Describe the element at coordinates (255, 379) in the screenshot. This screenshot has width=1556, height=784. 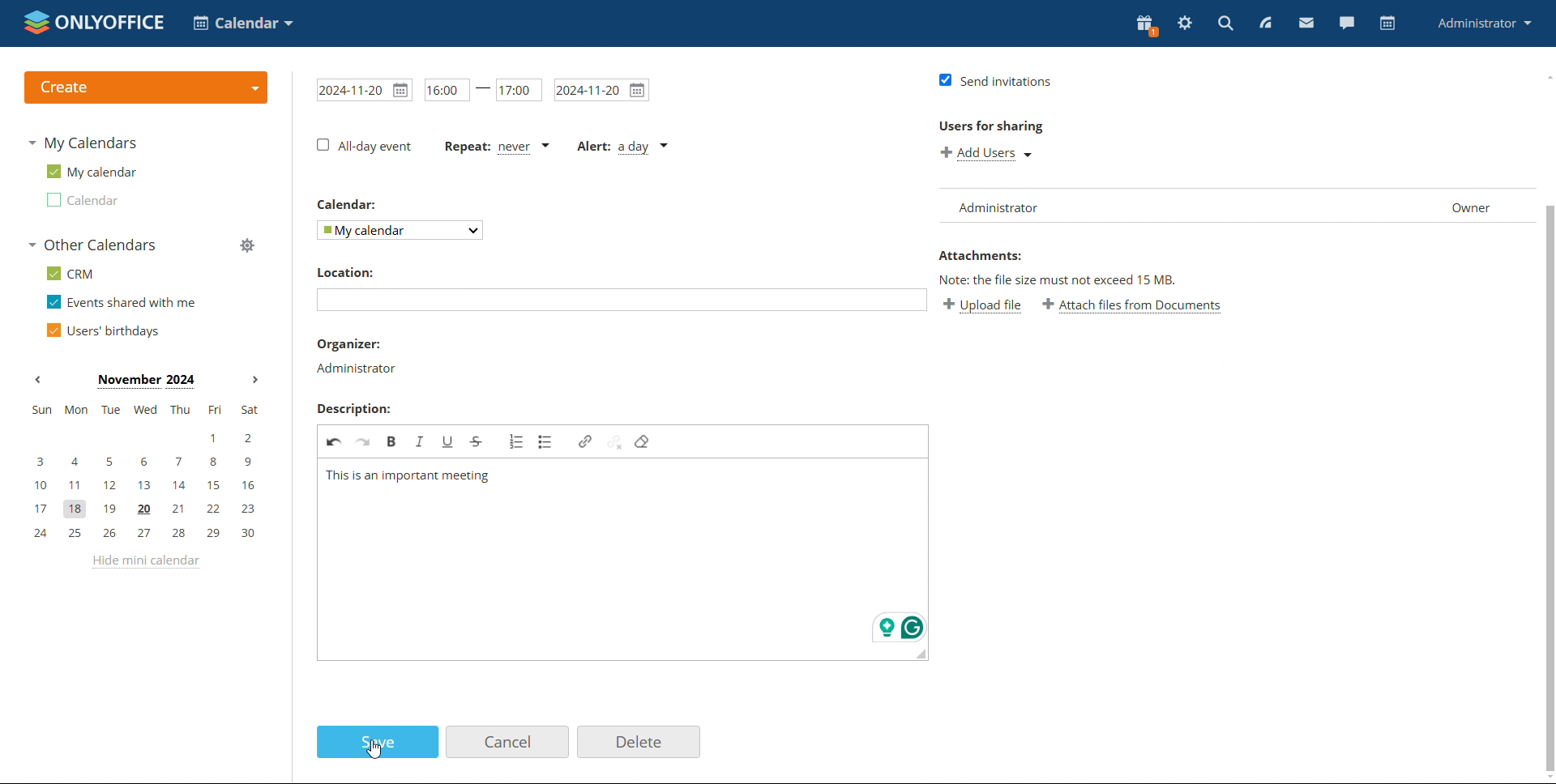
I see `next month` at that location.